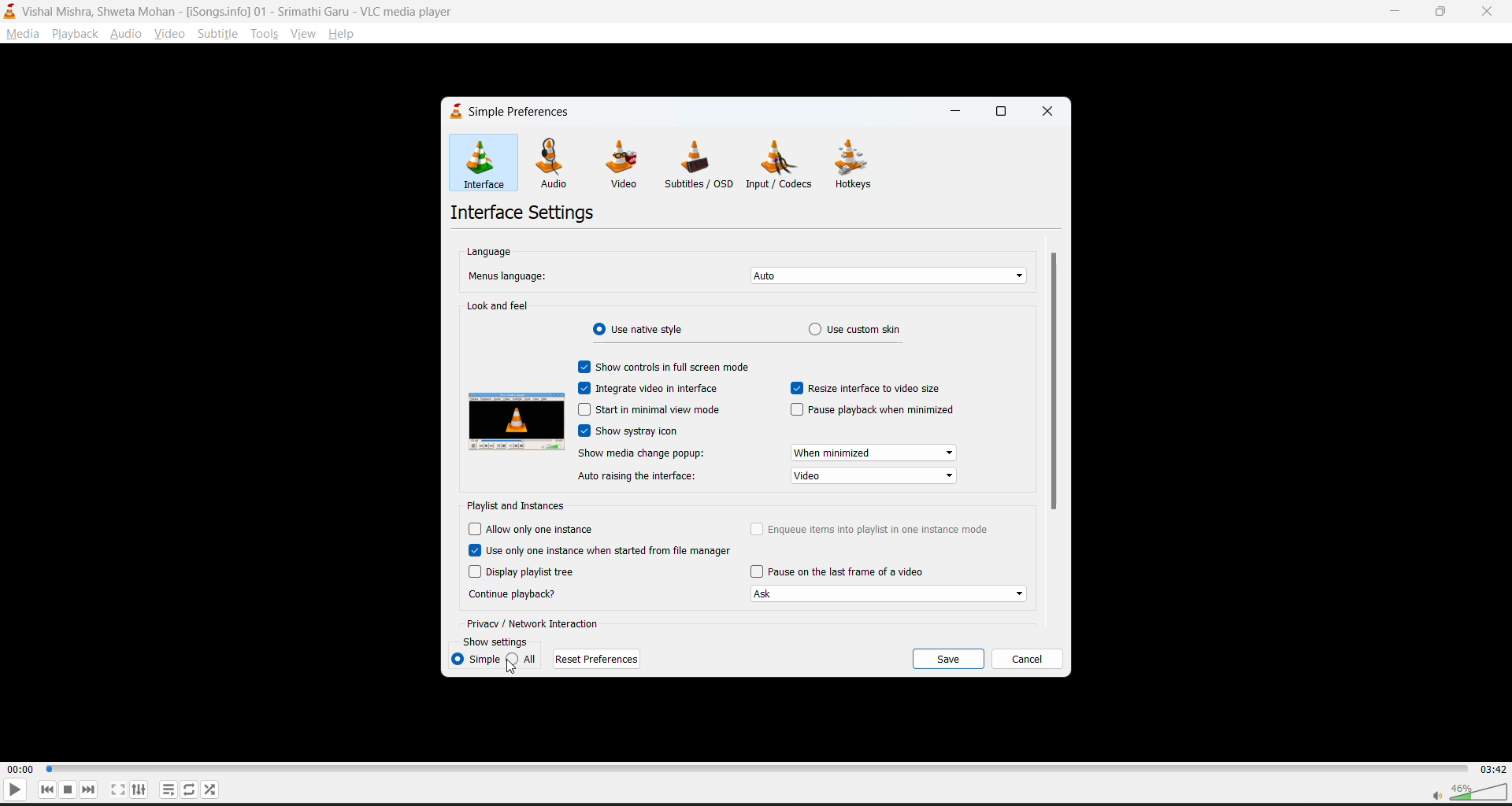  What do you see at coordinates (1048, 110) in the screenshot?
I see `close` at bounding box center [1048, 110].